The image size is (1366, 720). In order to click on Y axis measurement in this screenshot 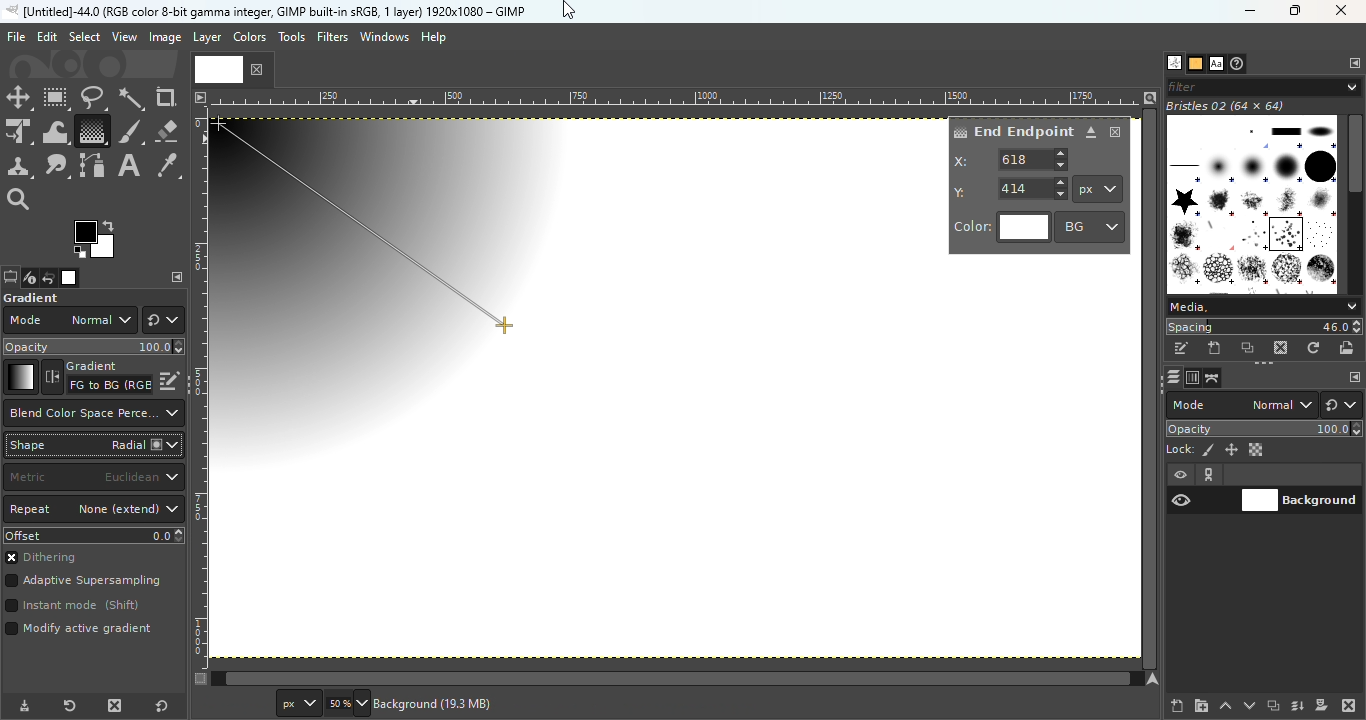, I will do `click(1011, 187)`.